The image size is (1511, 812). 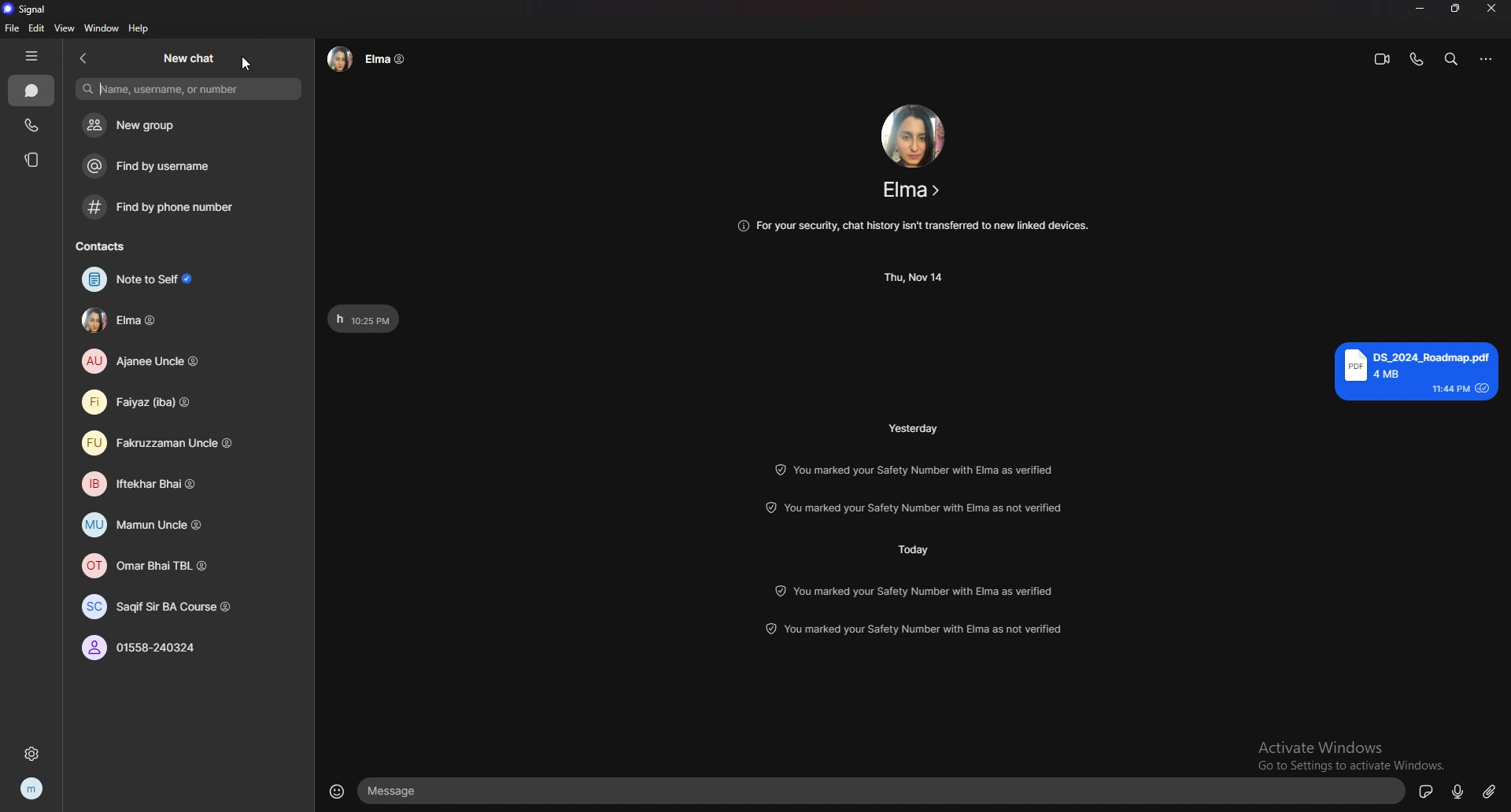 I want to click on chats, so click(x=31, y=90).